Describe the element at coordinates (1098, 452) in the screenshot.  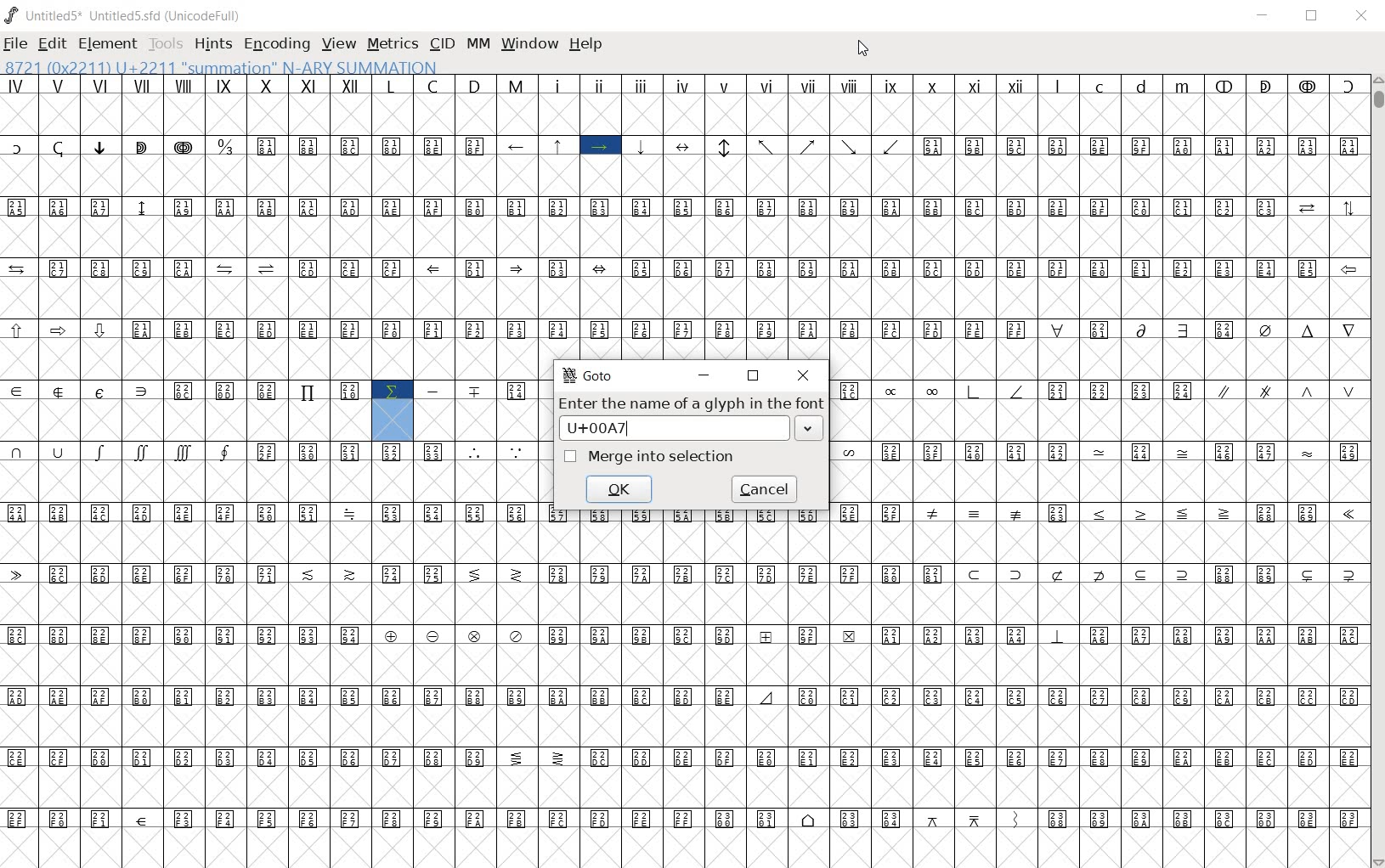
I see `special symbols` at that location.